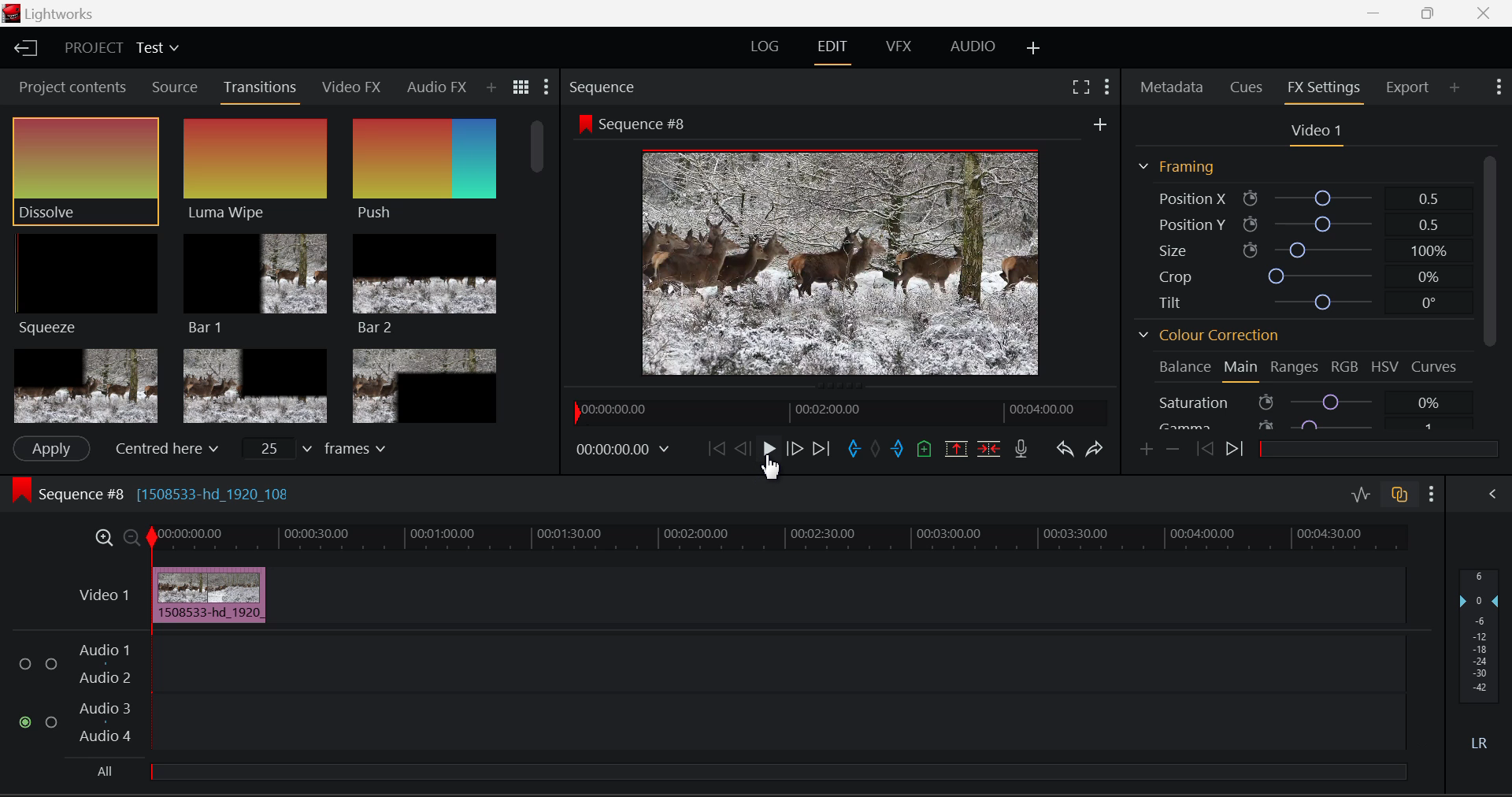 The image size is (1512, 797). What do you see at coordinates (318, 447) in the screenshot?
I see `frames input` at bounding box center [318, 447].